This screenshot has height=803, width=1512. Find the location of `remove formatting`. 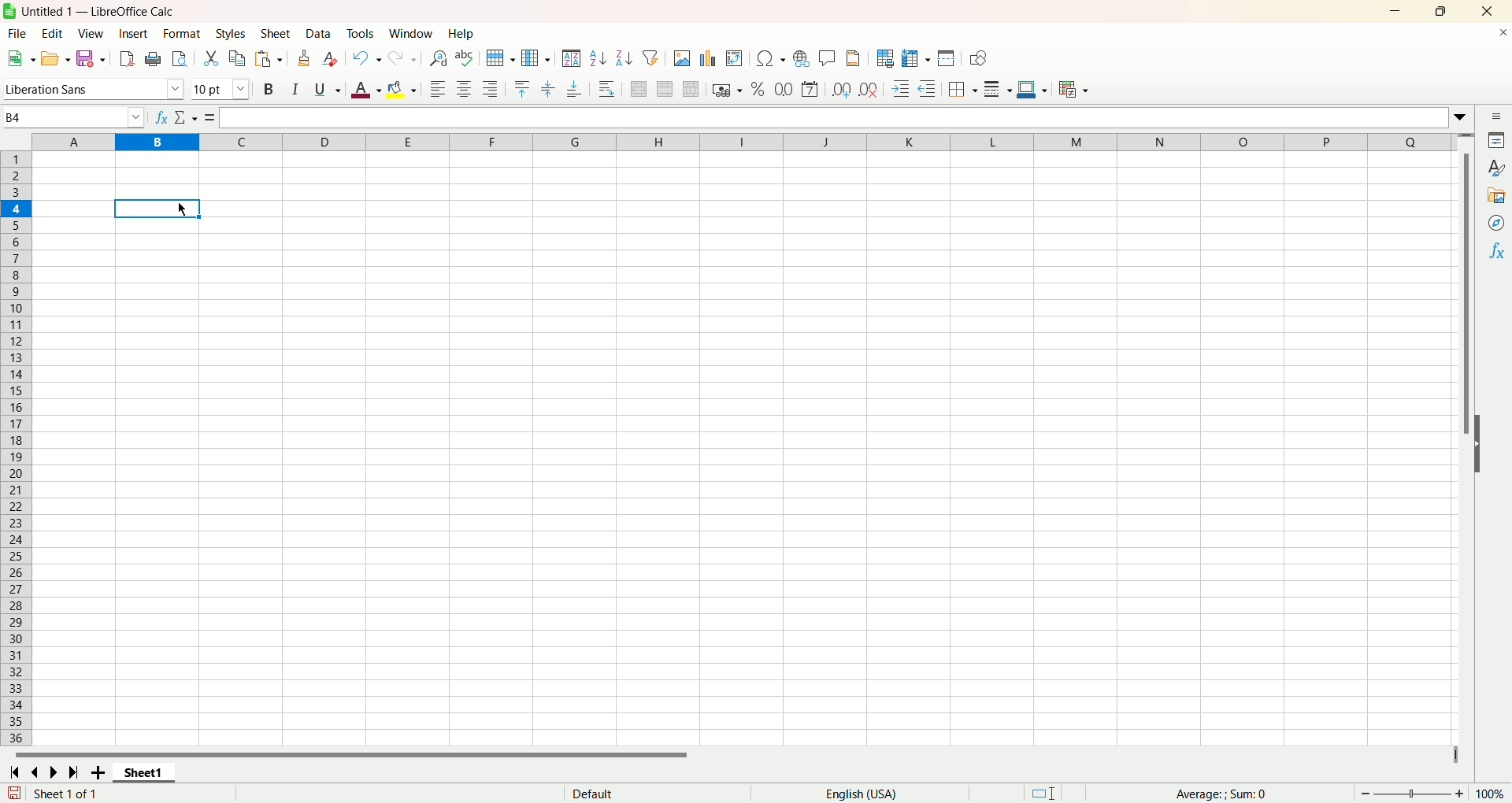

remove formatting is located at coordinates (333, 59).